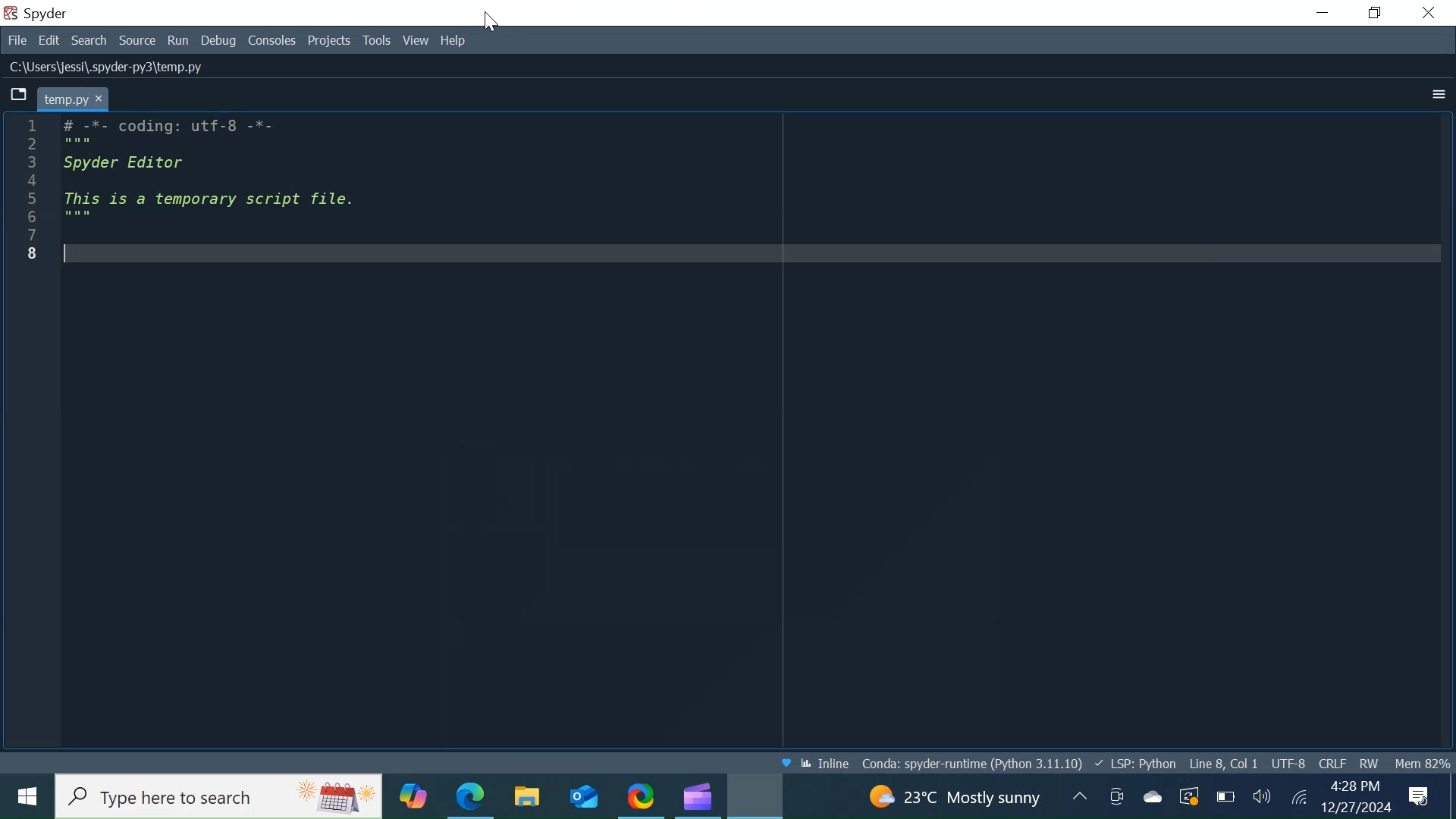 The height and width of the screenshot is (819, 1456). Describe the element at coordinates (413, 795) in the screenshot. I see `Copilot` at that location.